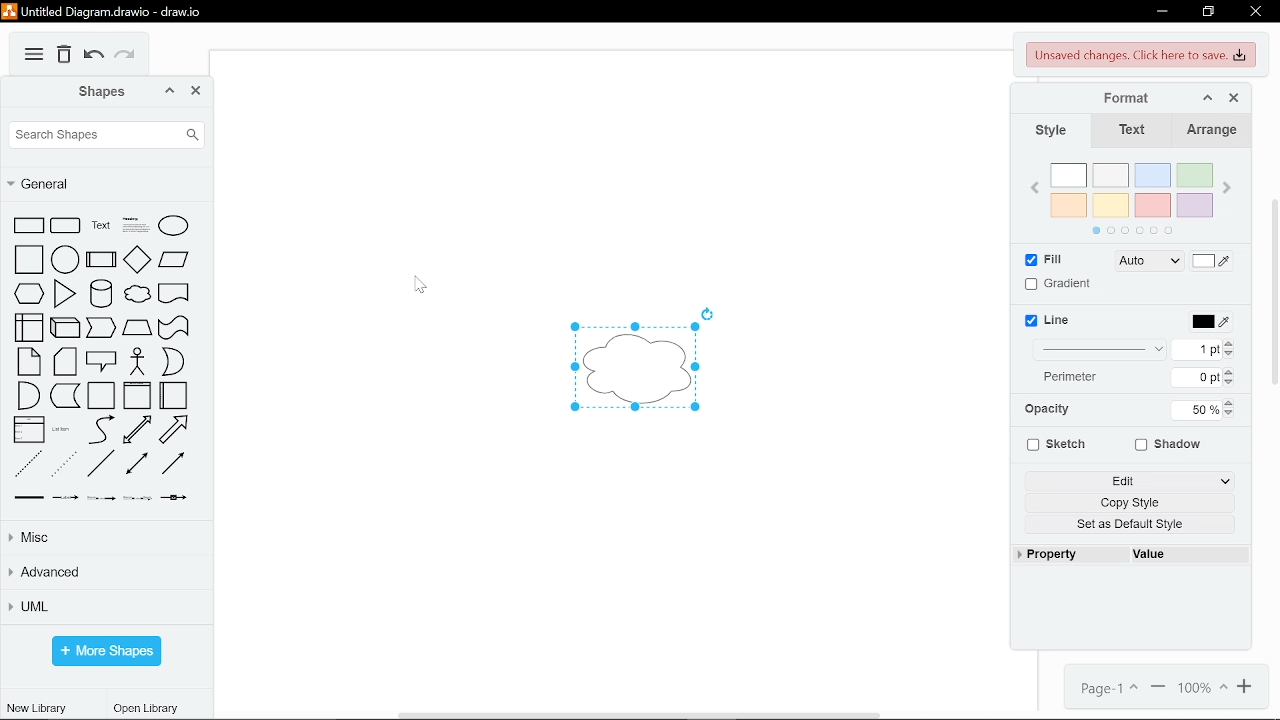  I want to click on list item, so click(64, 430).